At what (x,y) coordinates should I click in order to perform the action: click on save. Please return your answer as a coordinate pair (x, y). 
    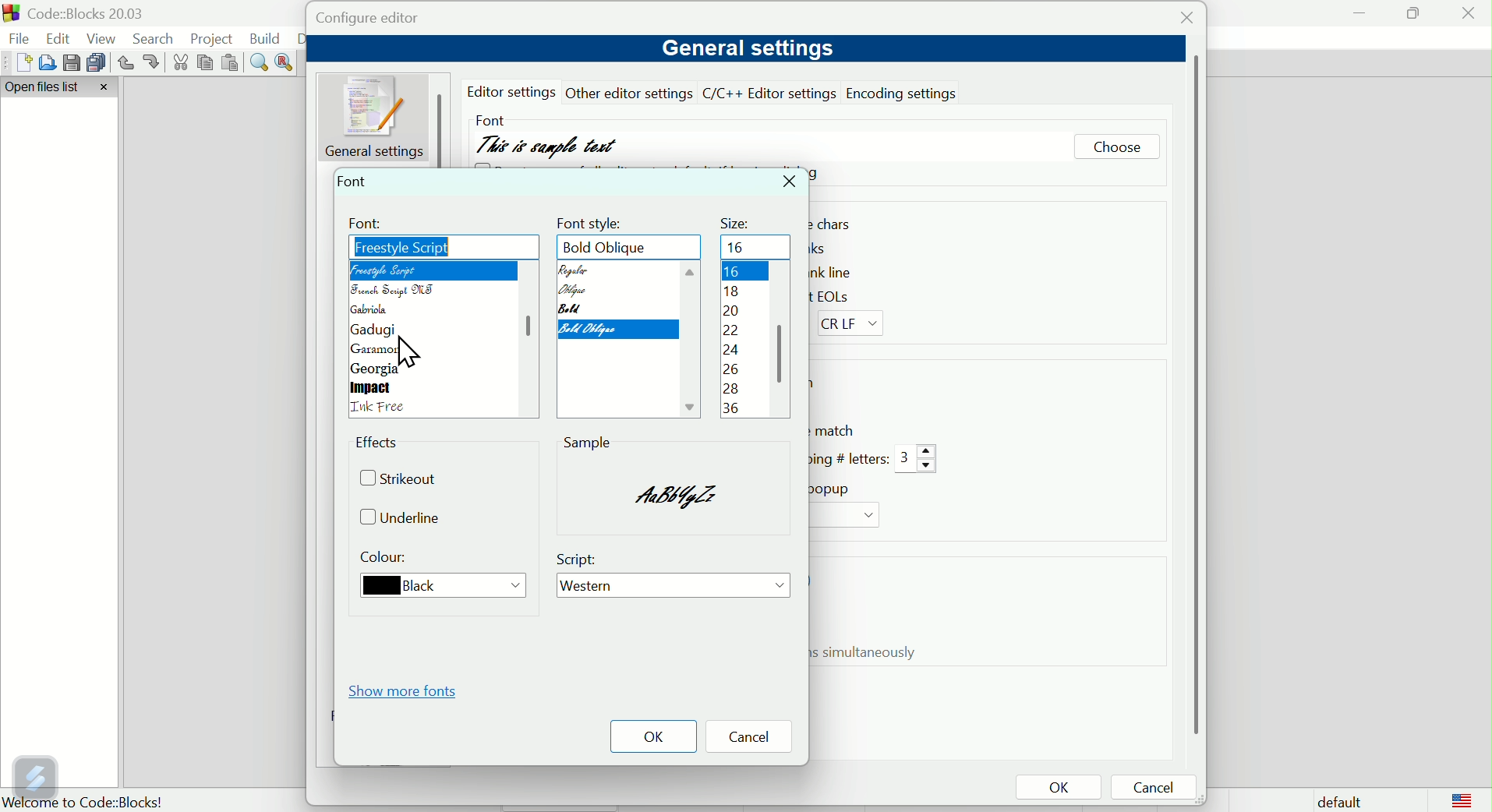
    Looking at the image, I should click on (69, 61).